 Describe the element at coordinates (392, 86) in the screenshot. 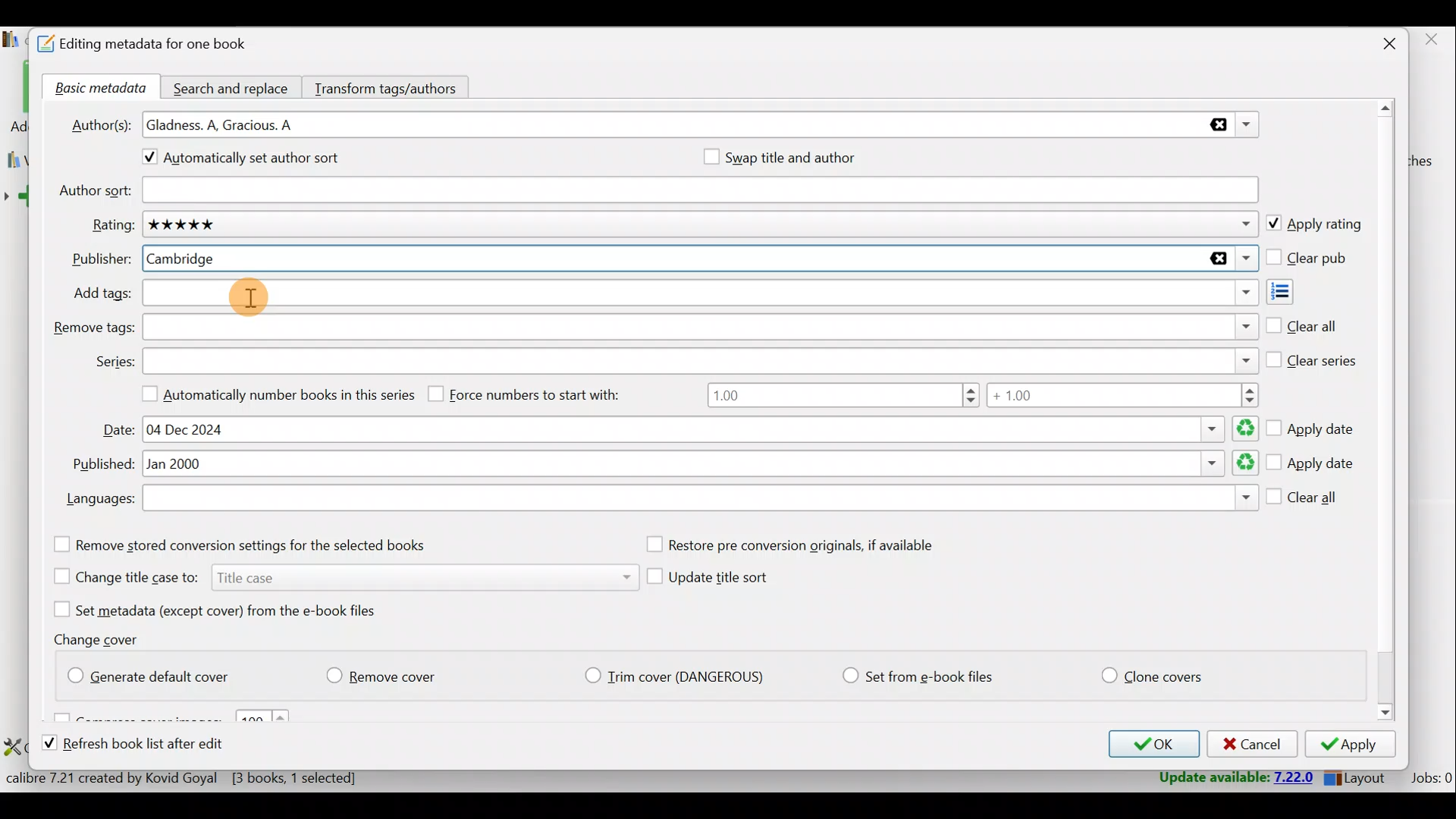

I see `Transform tags/authors` at that location.